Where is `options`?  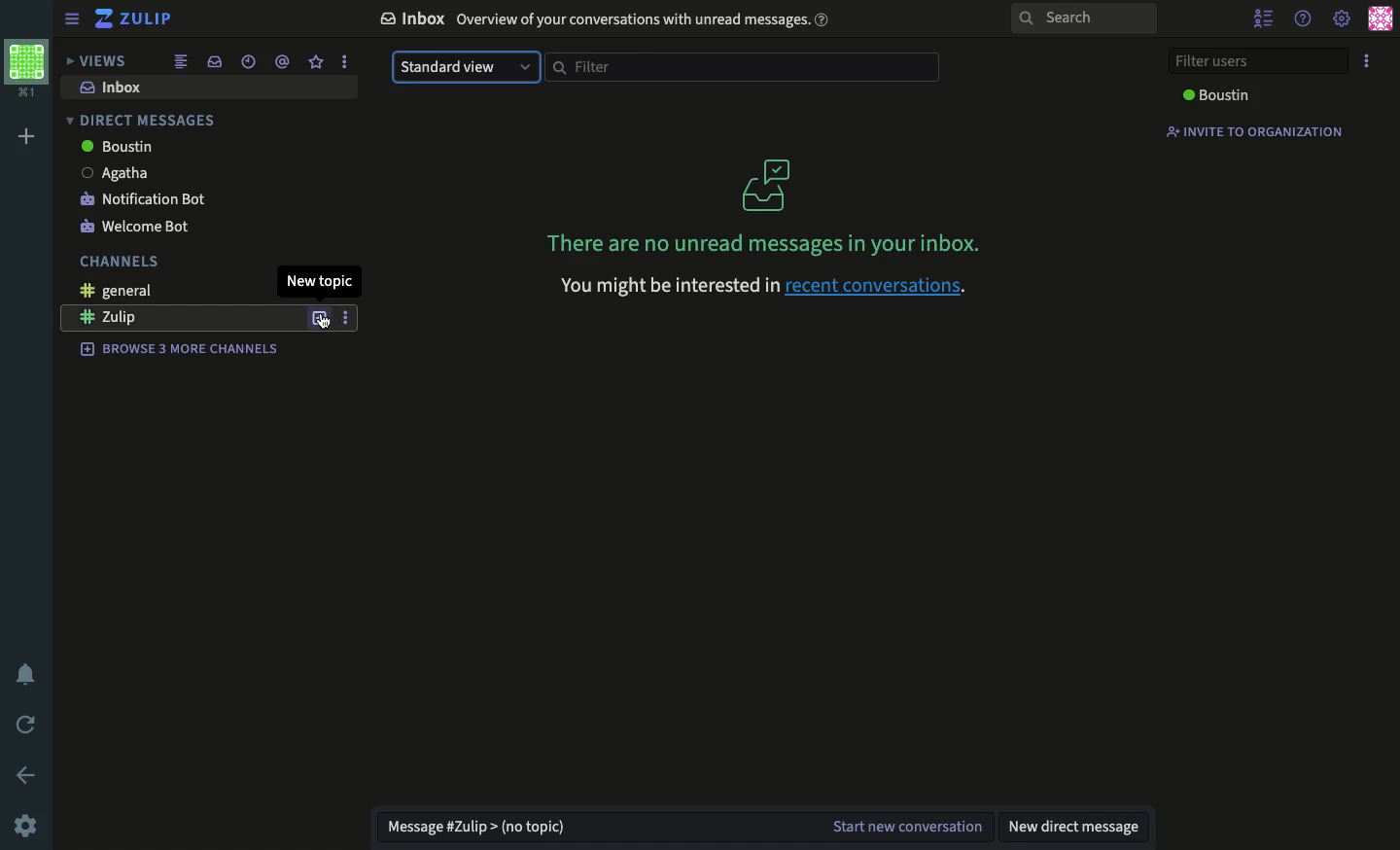
options is located at coordinates (1367, 62).